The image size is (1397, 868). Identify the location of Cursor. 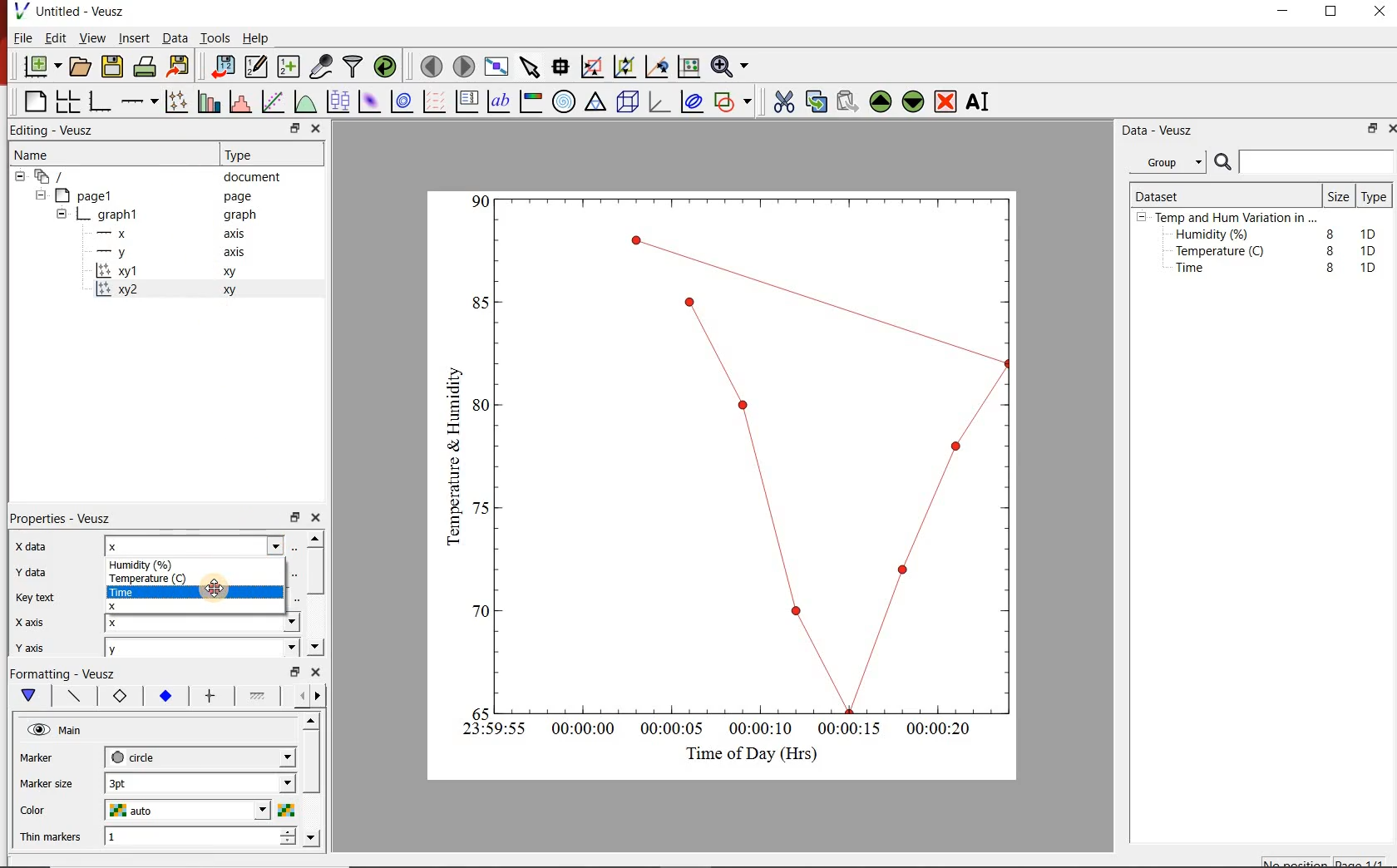
(228, 593).